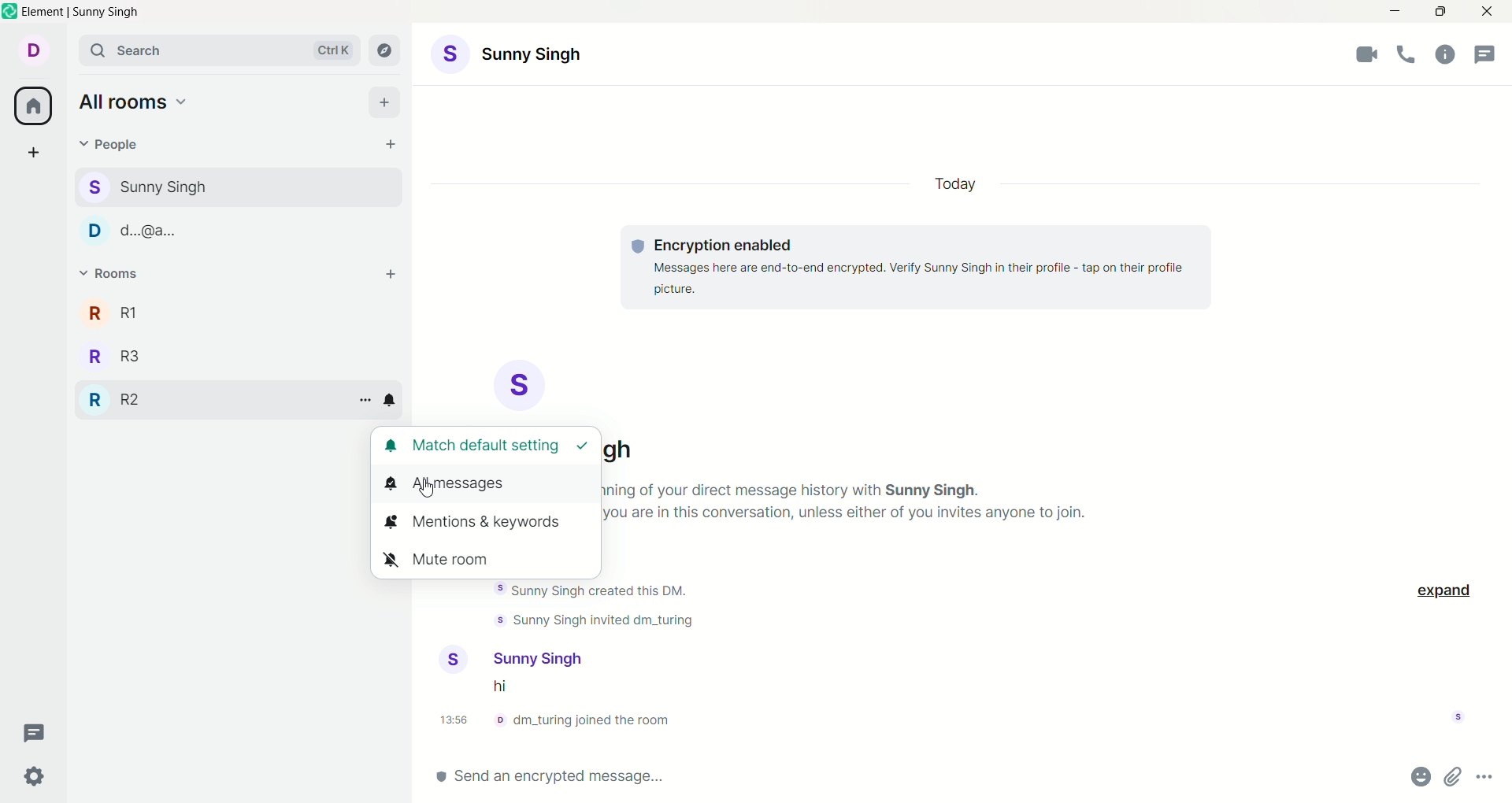 This screenshot has width=1512, height=803. What do you see at coordinates (962, 186) in the screenshot?
I see `today` at bounding box center [962, 186].